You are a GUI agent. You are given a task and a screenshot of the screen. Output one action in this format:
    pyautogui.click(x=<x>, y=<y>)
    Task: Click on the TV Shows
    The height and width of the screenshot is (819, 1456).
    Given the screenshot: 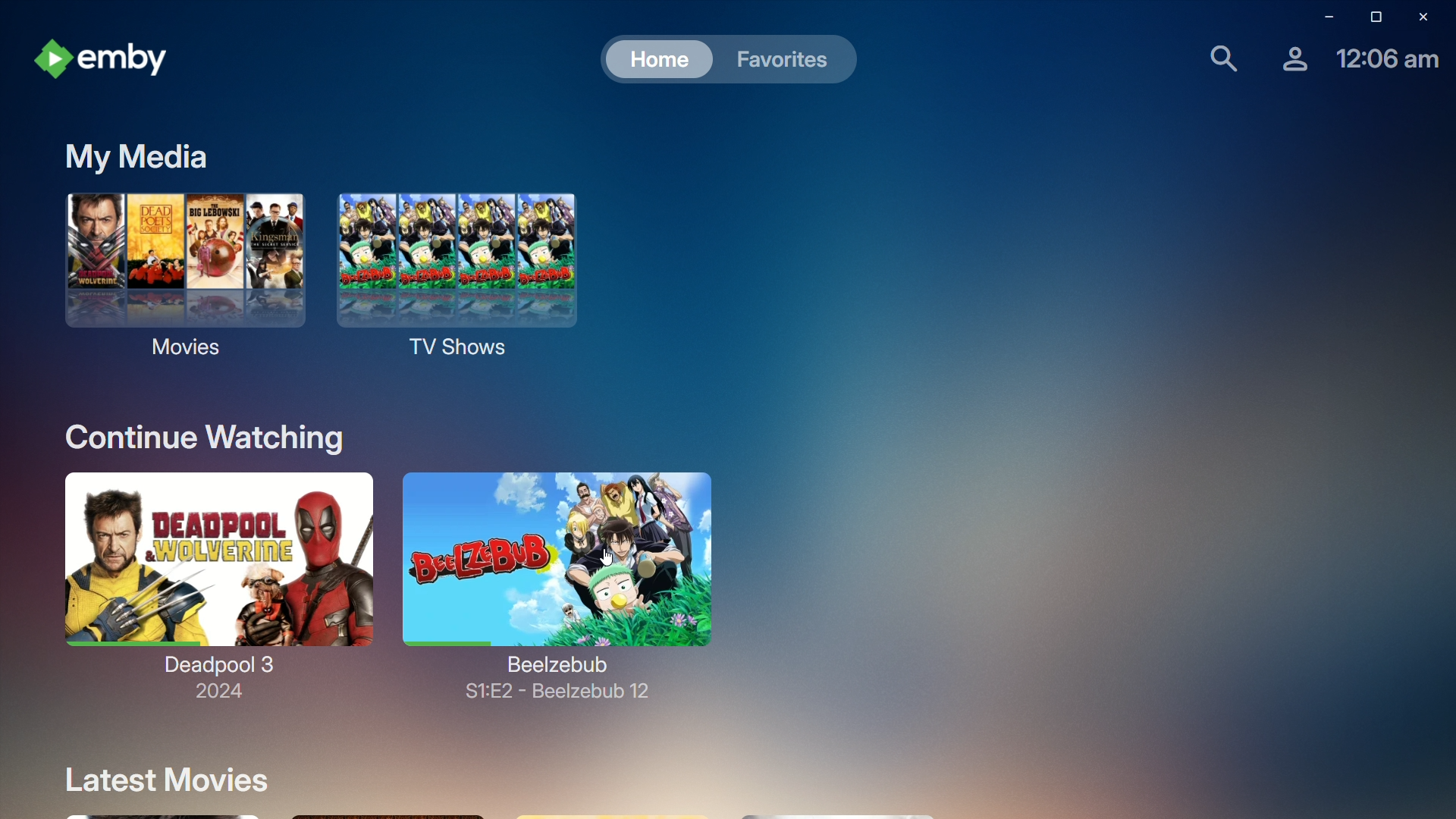 What is the action you would take?
    pyautogui.click(x=470, y=278)
    